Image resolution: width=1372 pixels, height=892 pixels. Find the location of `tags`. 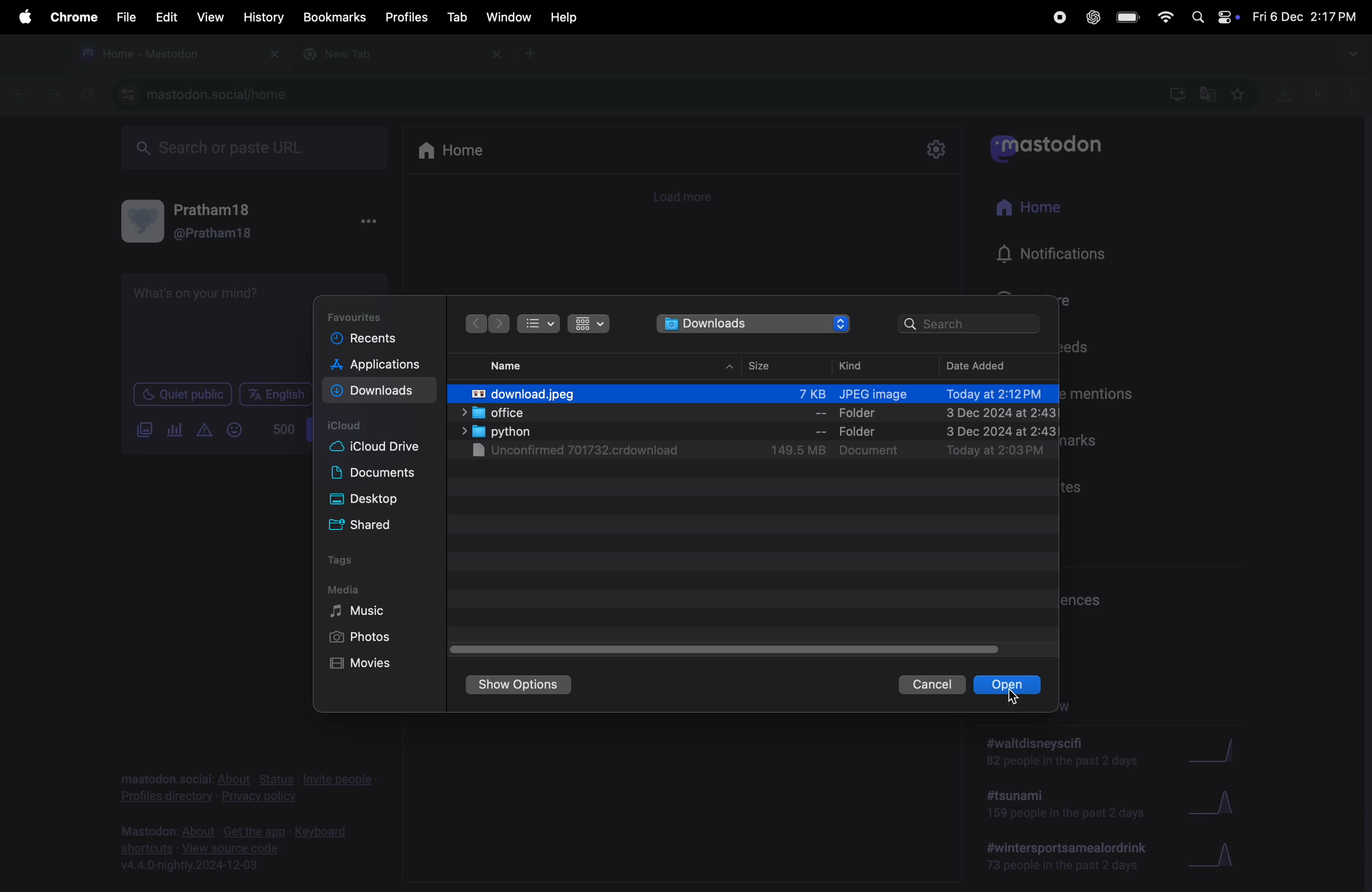

tags is located at coordinates (341, 561).